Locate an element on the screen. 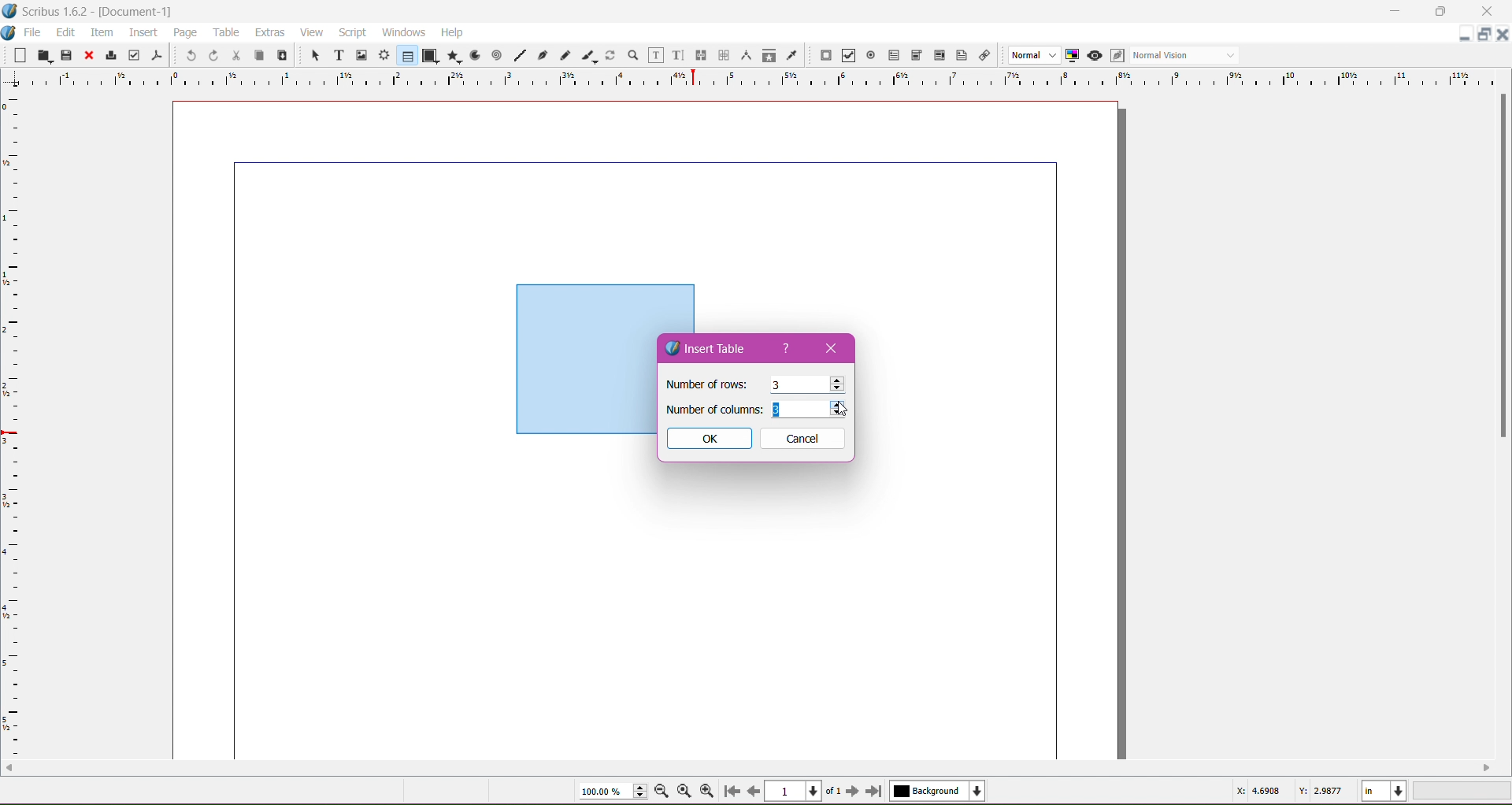 Image resolution: width=1512 pixels, height=805 pixels. 1 is located at coordinates (784, 410).